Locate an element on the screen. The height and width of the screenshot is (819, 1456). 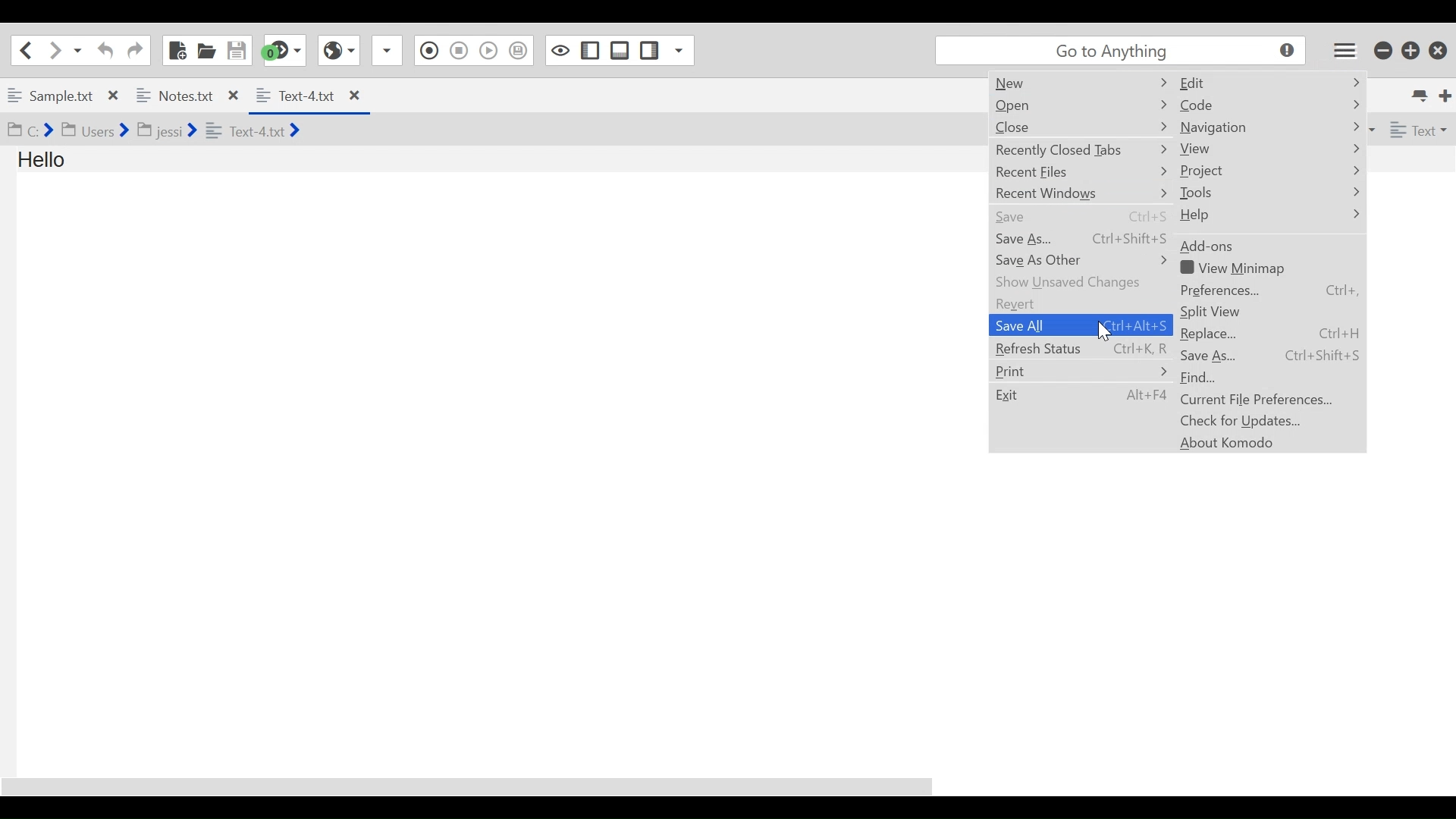
Search is located at coordinates (1122, 51).